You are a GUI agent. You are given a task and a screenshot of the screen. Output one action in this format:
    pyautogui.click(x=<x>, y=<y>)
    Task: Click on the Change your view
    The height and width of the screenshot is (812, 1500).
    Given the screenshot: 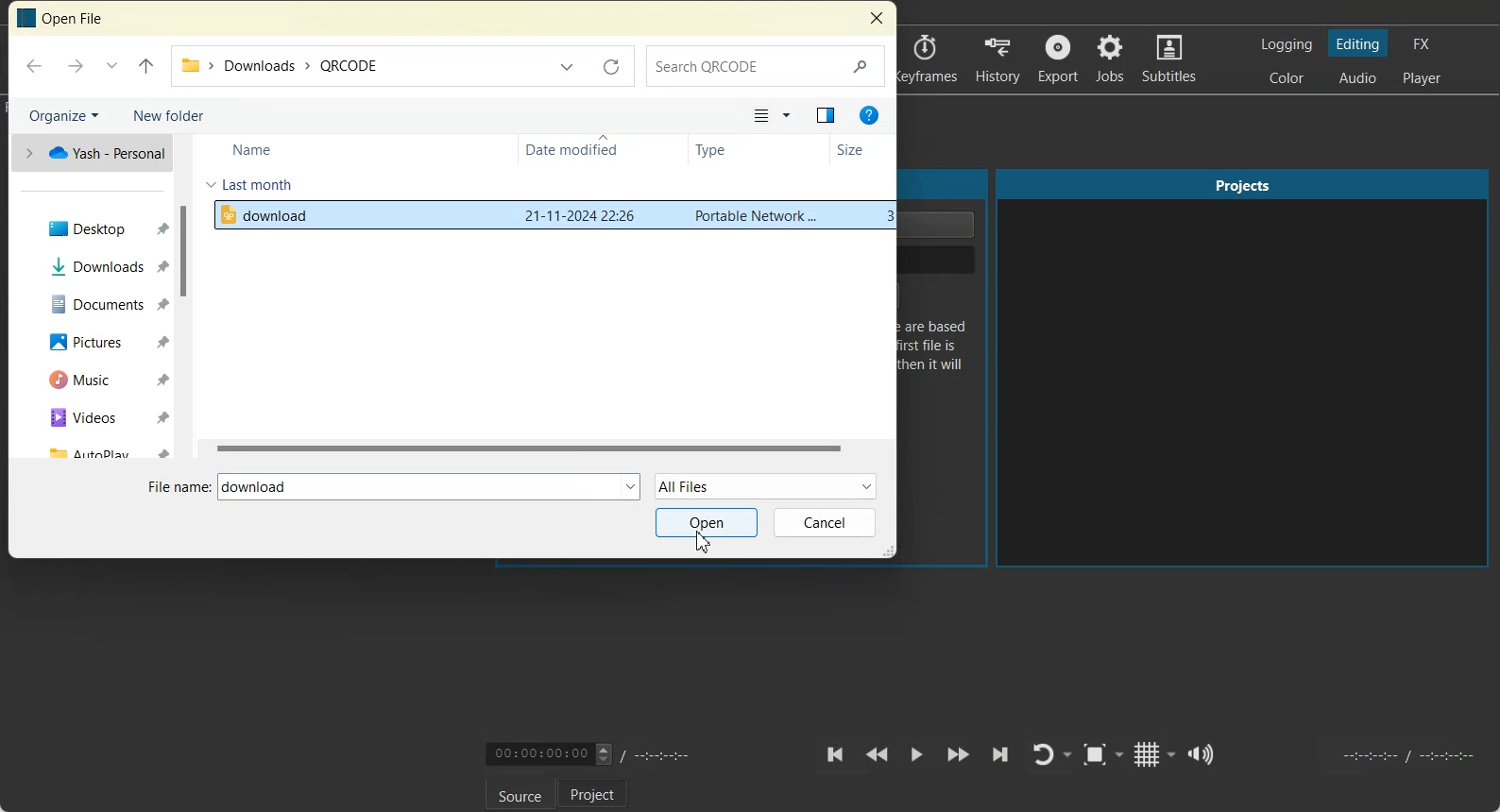 What is the action you would take?
    pyautogui.click(x=772, y=117)
    